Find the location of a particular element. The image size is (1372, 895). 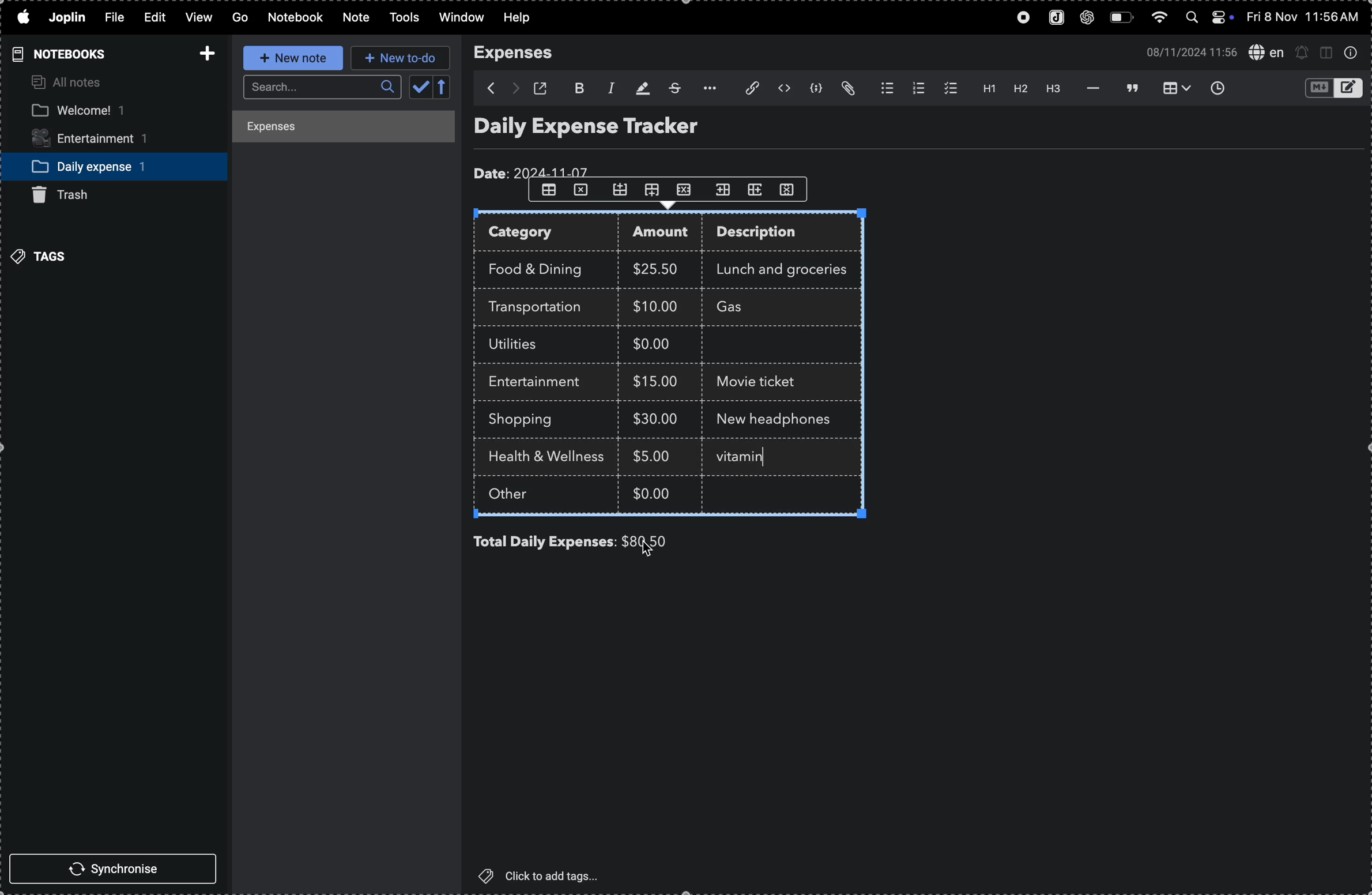

lunch and groceries is located at coordinates (789, 268).